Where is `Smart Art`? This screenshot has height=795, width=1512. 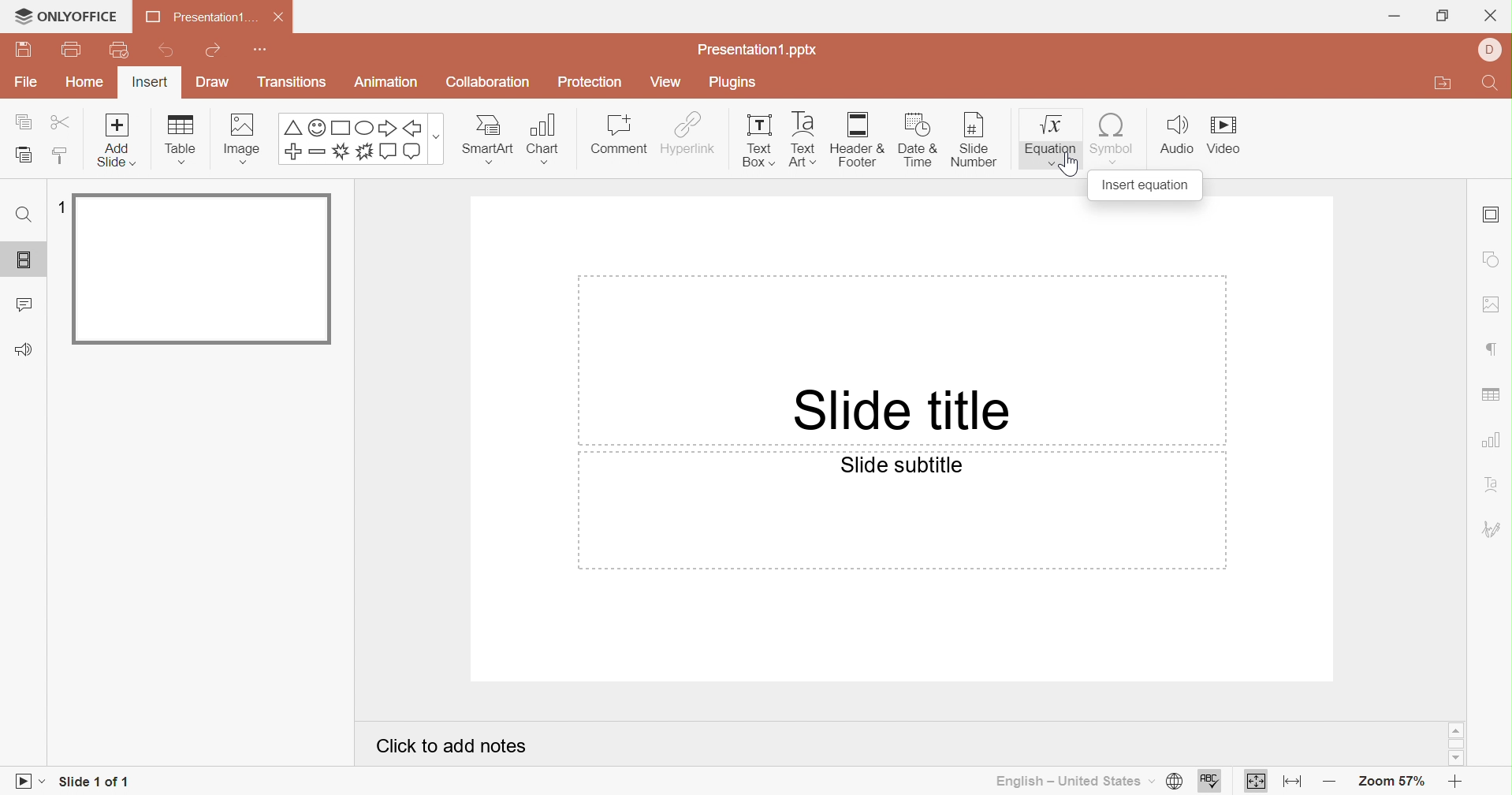 Smart Art is located at coordinates (488, 140).